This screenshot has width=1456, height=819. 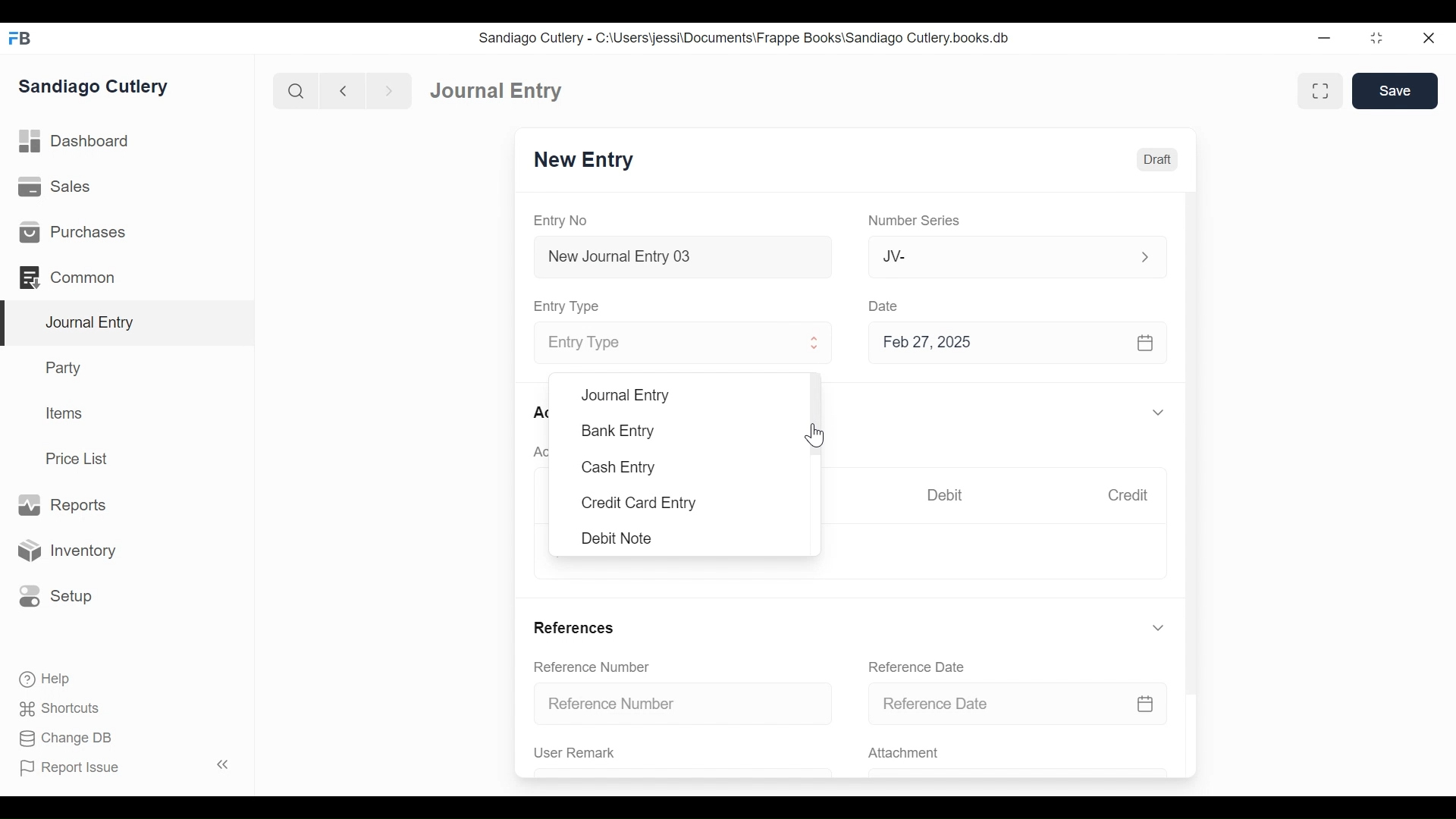 I want to click on Shortcuts, so click(x=61, y=711).